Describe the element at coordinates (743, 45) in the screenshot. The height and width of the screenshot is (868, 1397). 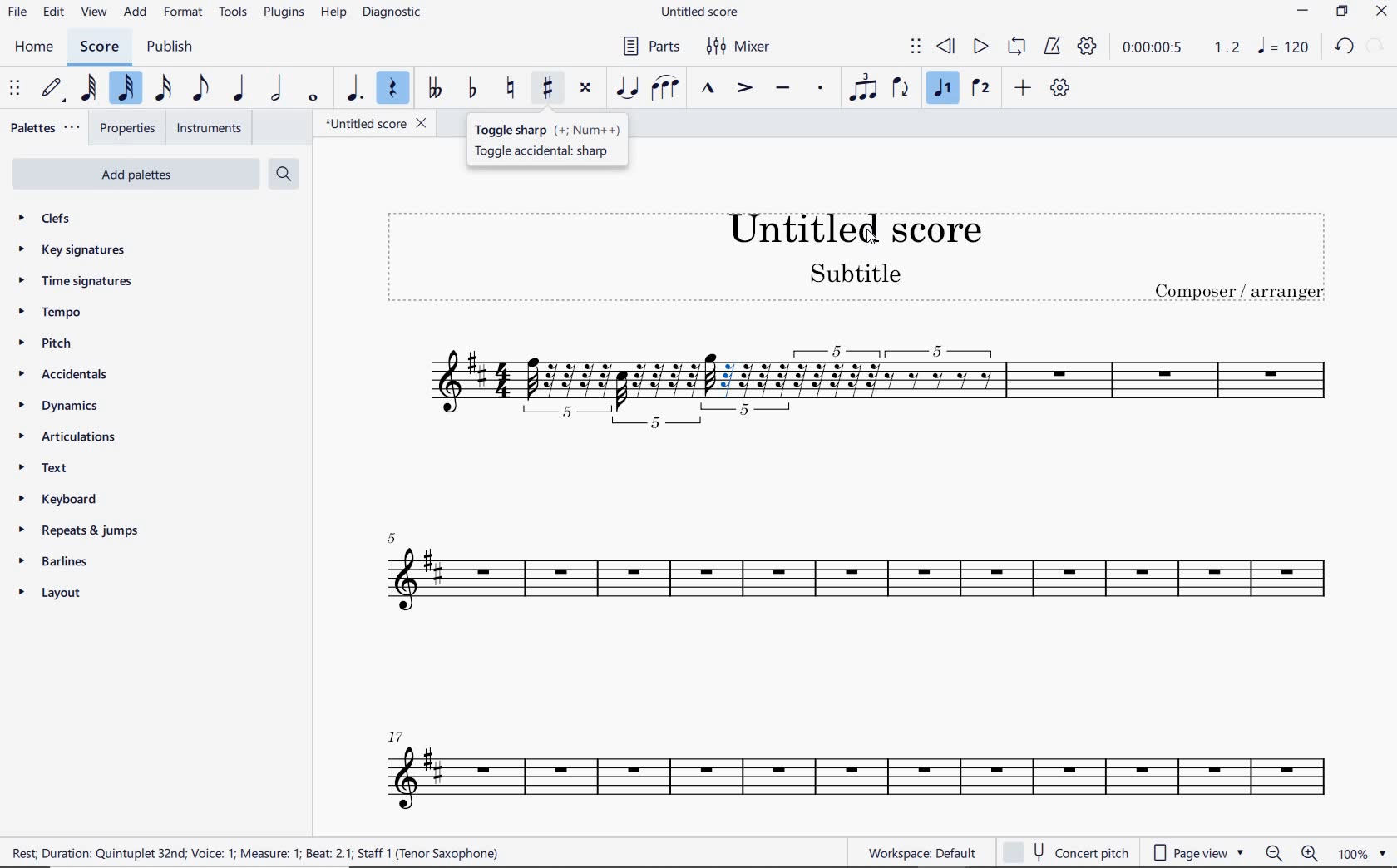
I see `MIXER` at that location.